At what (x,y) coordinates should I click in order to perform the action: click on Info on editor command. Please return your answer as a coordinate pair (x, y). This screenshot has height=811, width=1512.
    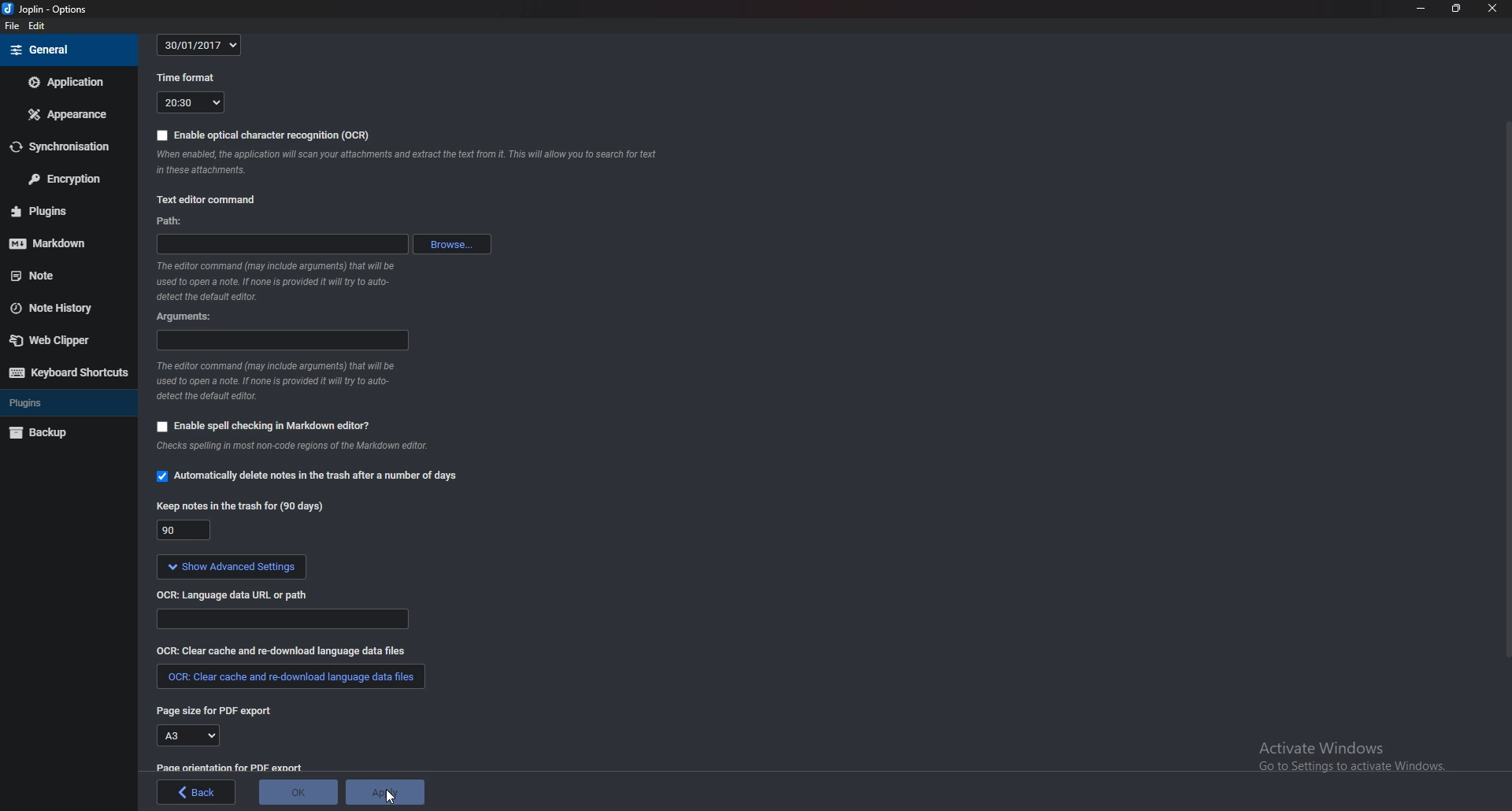
    Looking at the image, I should click on (279, 381).